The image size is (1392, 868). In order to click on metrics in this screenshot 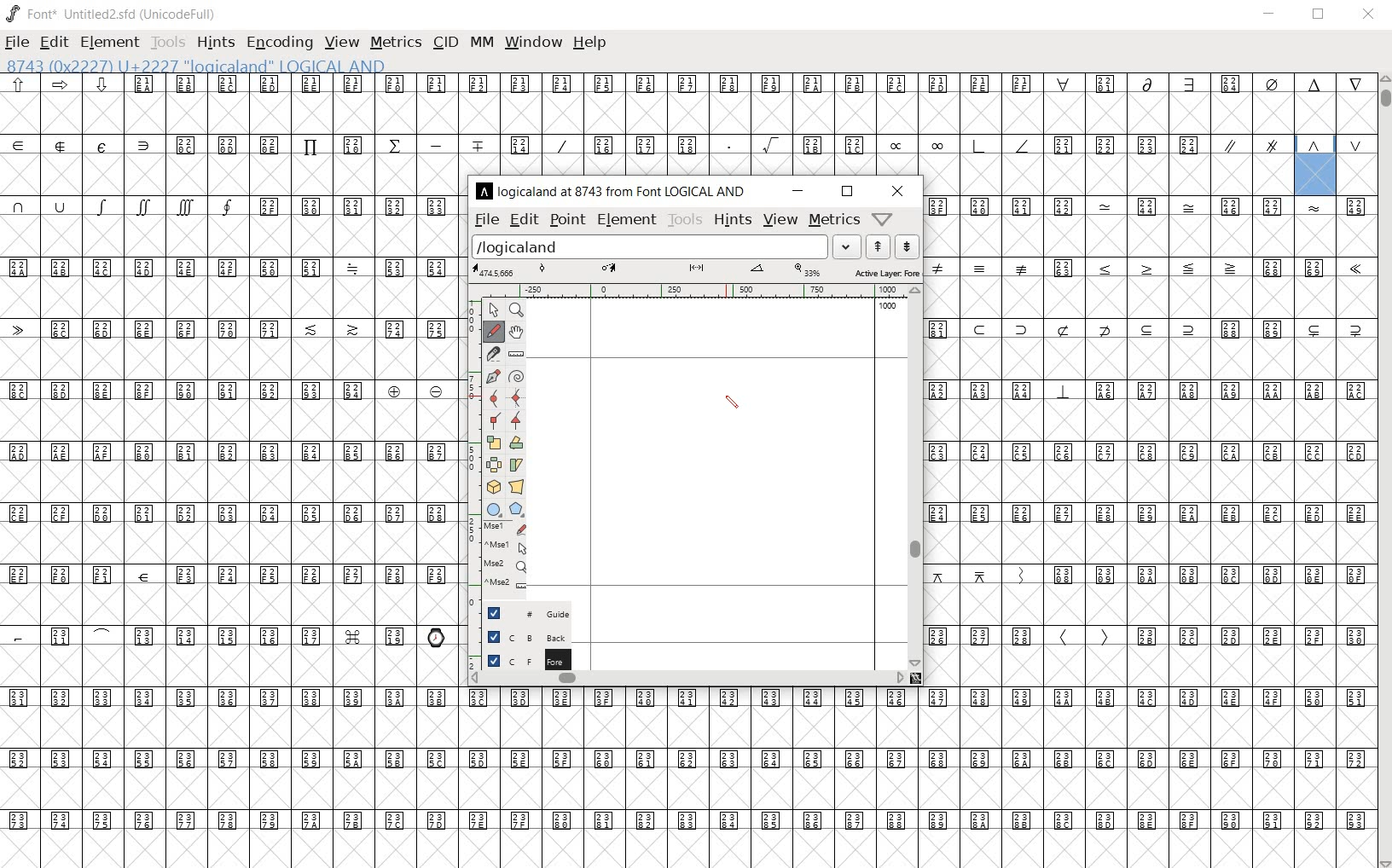, I will do `click(396, 42)`.